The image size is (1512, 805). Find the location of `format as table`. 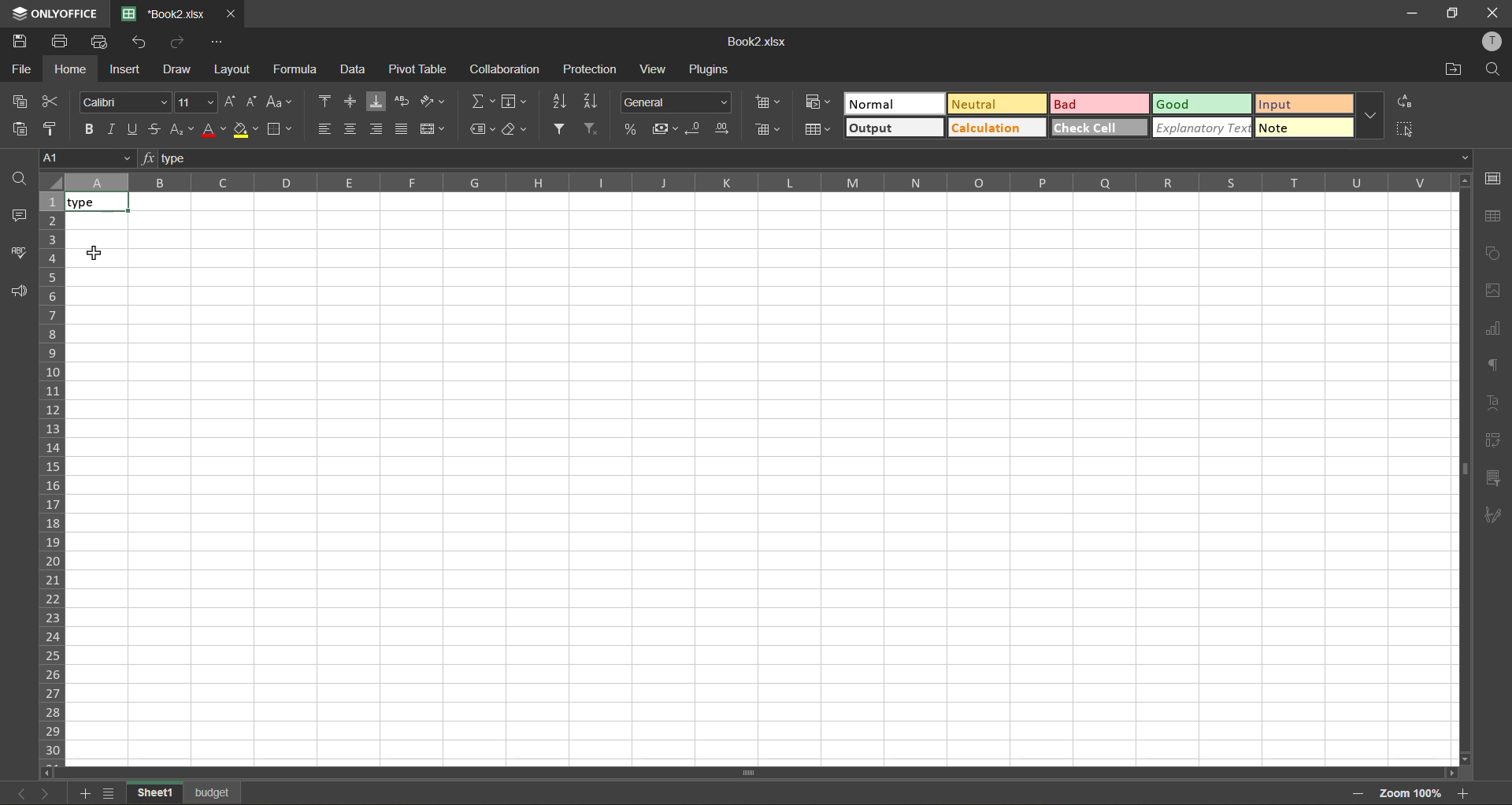

format as table is located at coordinates (821, 131).